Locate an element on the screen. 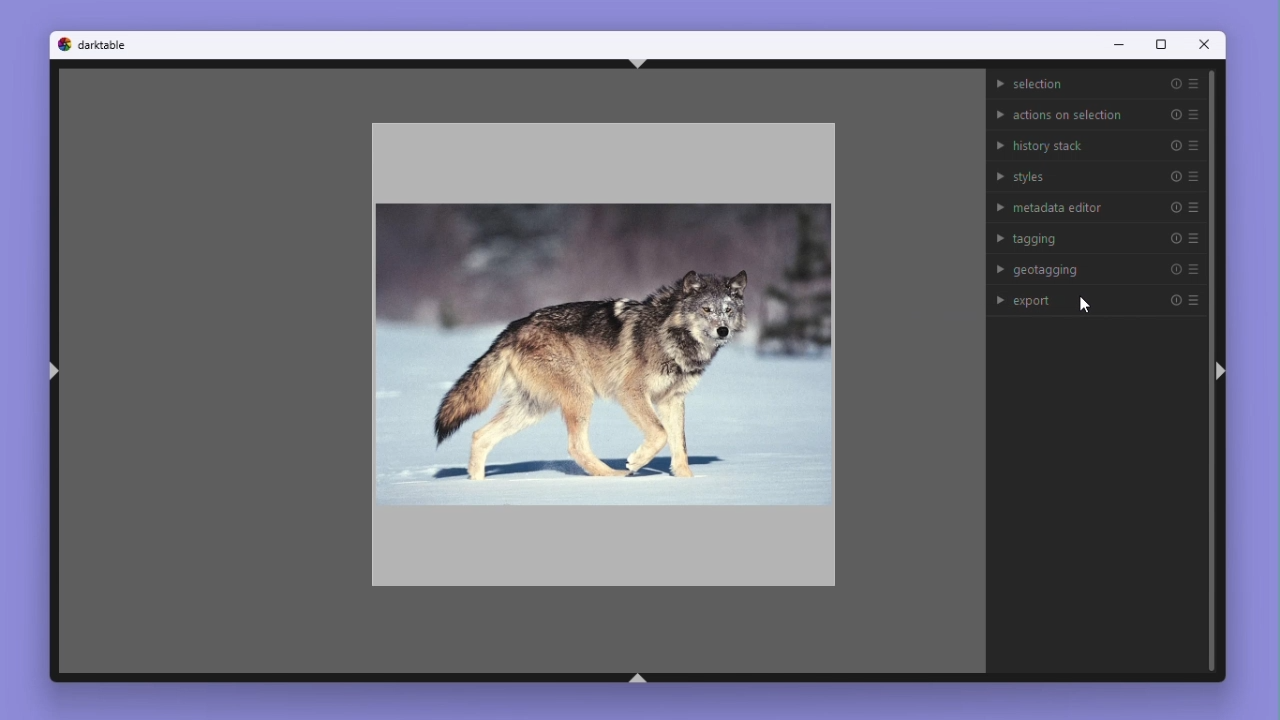  Geo tagging is located at coordinates (1099, 267).